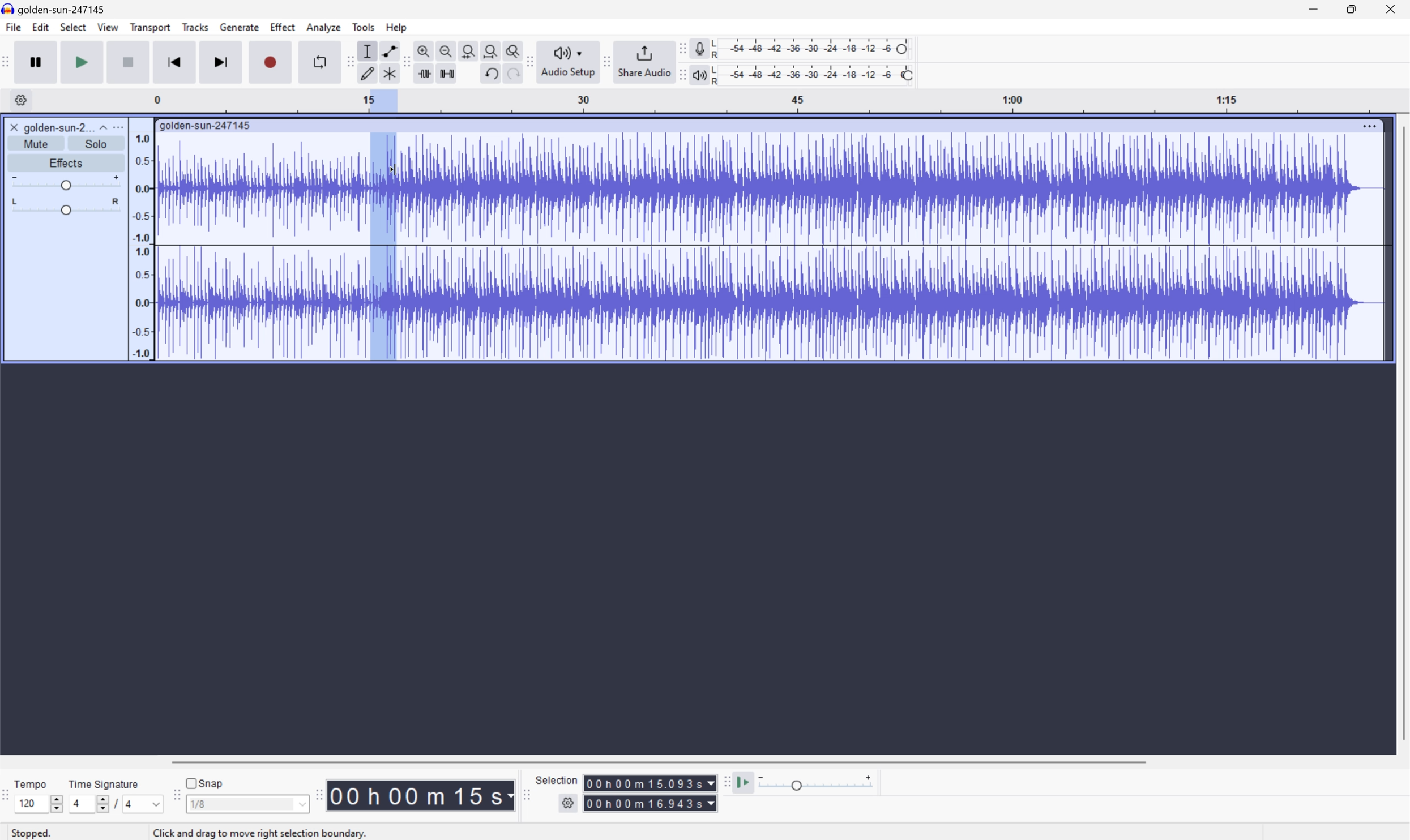  What do you see at coordinates (206, 125) in the screenshot?
I see `golden-sun-247145` at bounding box center [206, 125].